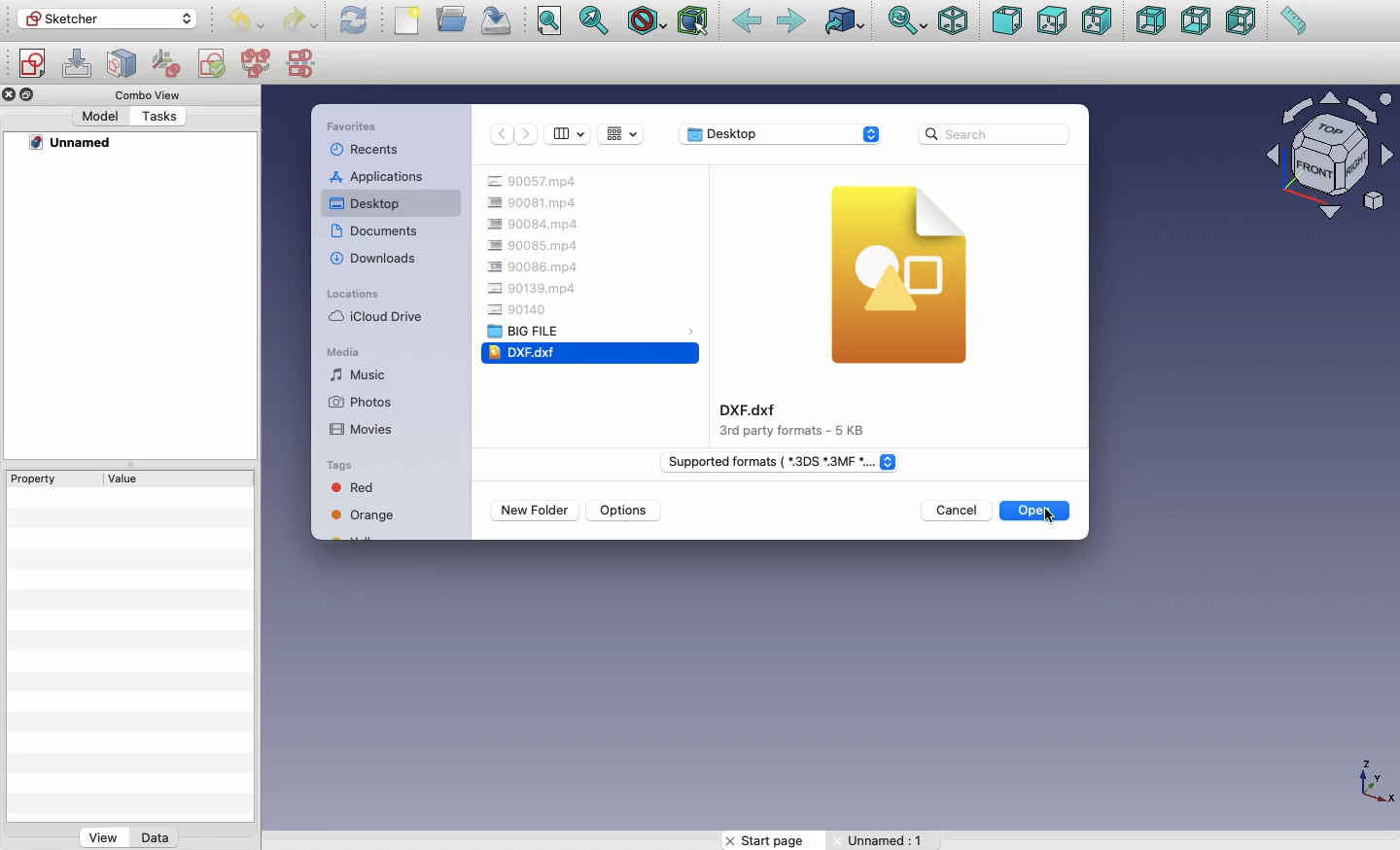 This screenshot has height=850, width=1400. I want to click on Icon, so click(902, 276).